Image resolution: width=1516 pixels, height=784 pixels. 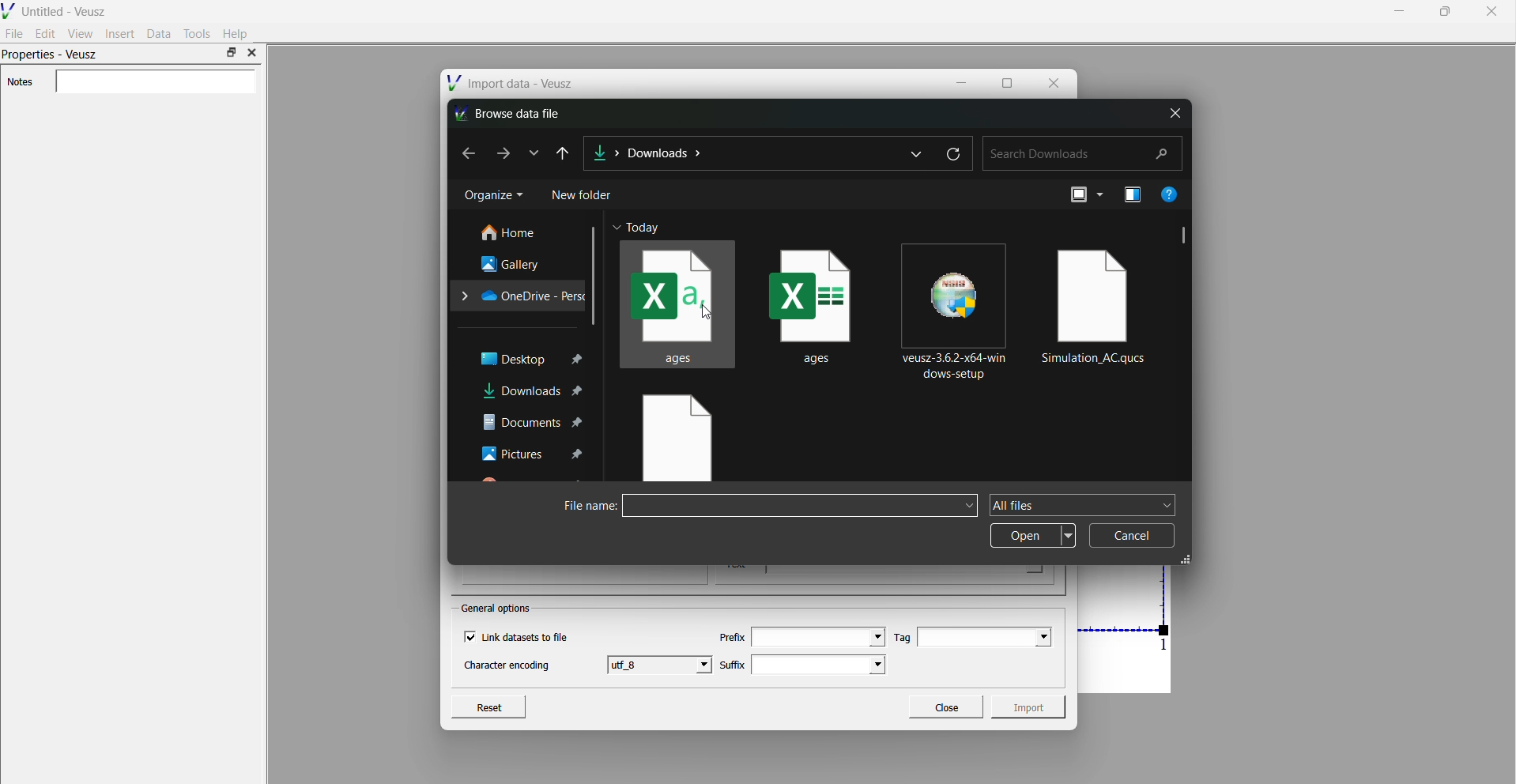 What do you see at coordinates (498, 609) in the screenshot?
I see `General options.` at bounding box center [498, 609].